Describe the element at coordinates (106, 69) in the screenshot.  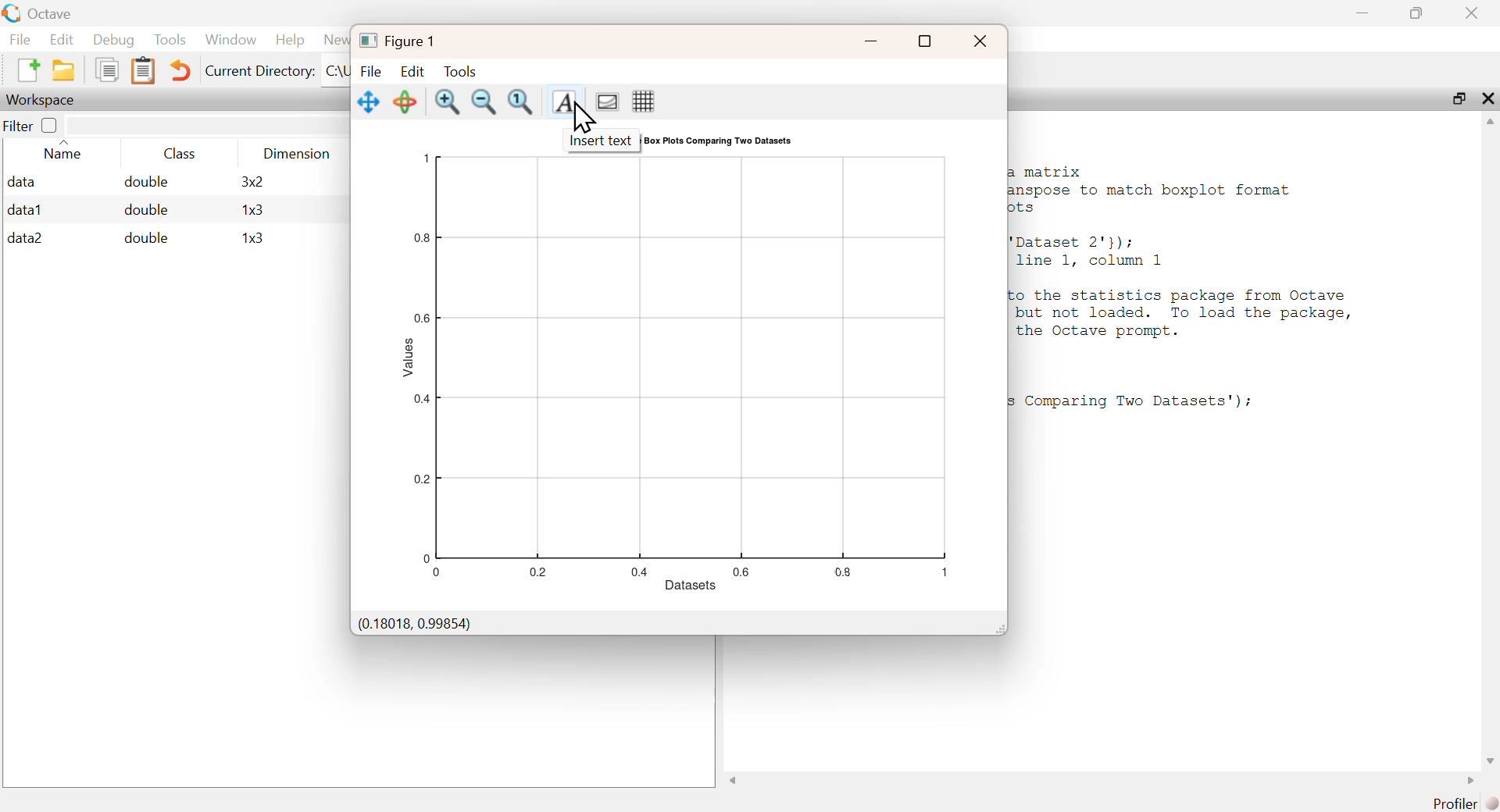
I see `Duplicate` at that location.